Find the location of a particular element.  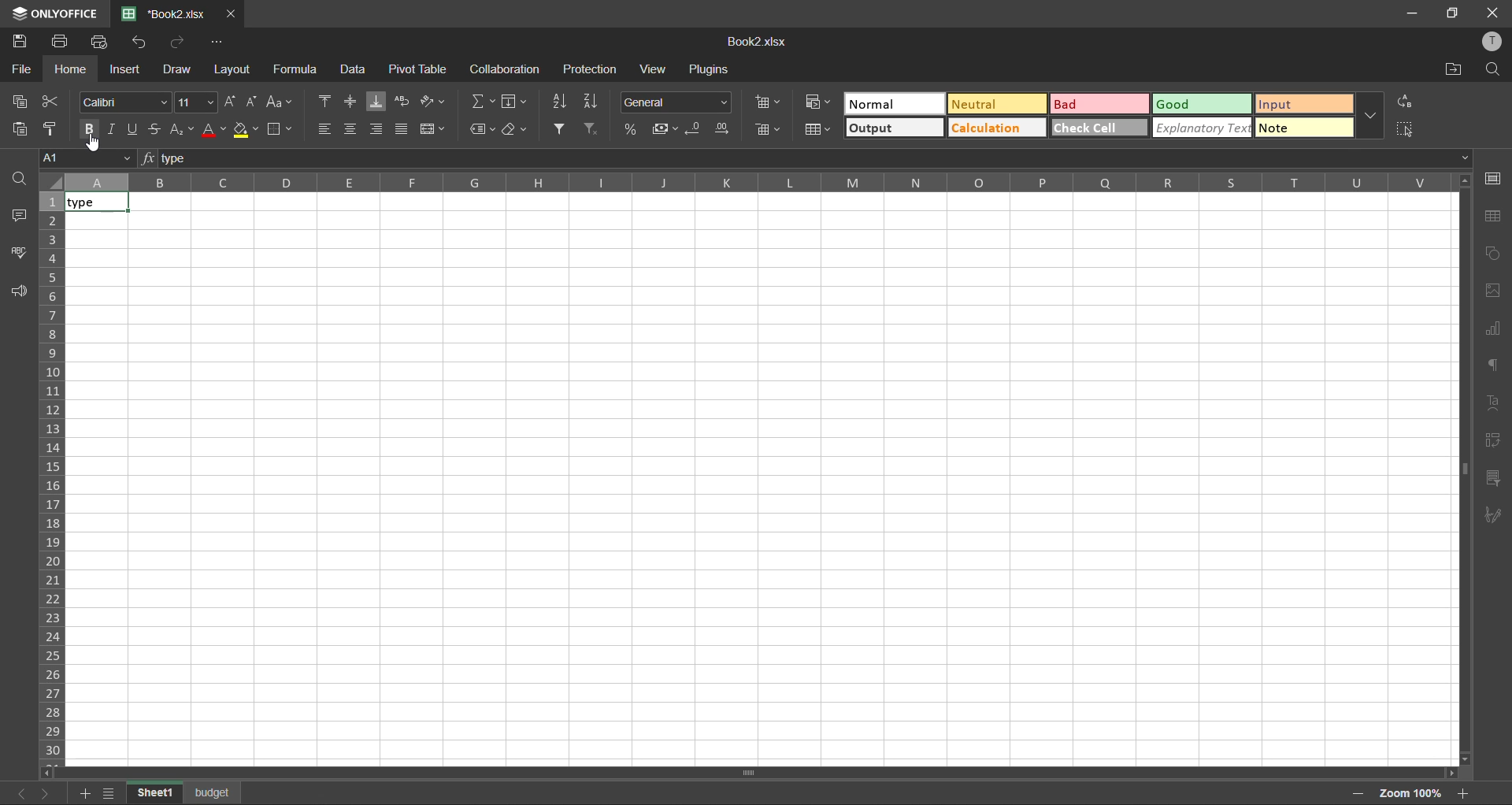

align bottom is located at coordinates (377, 102).